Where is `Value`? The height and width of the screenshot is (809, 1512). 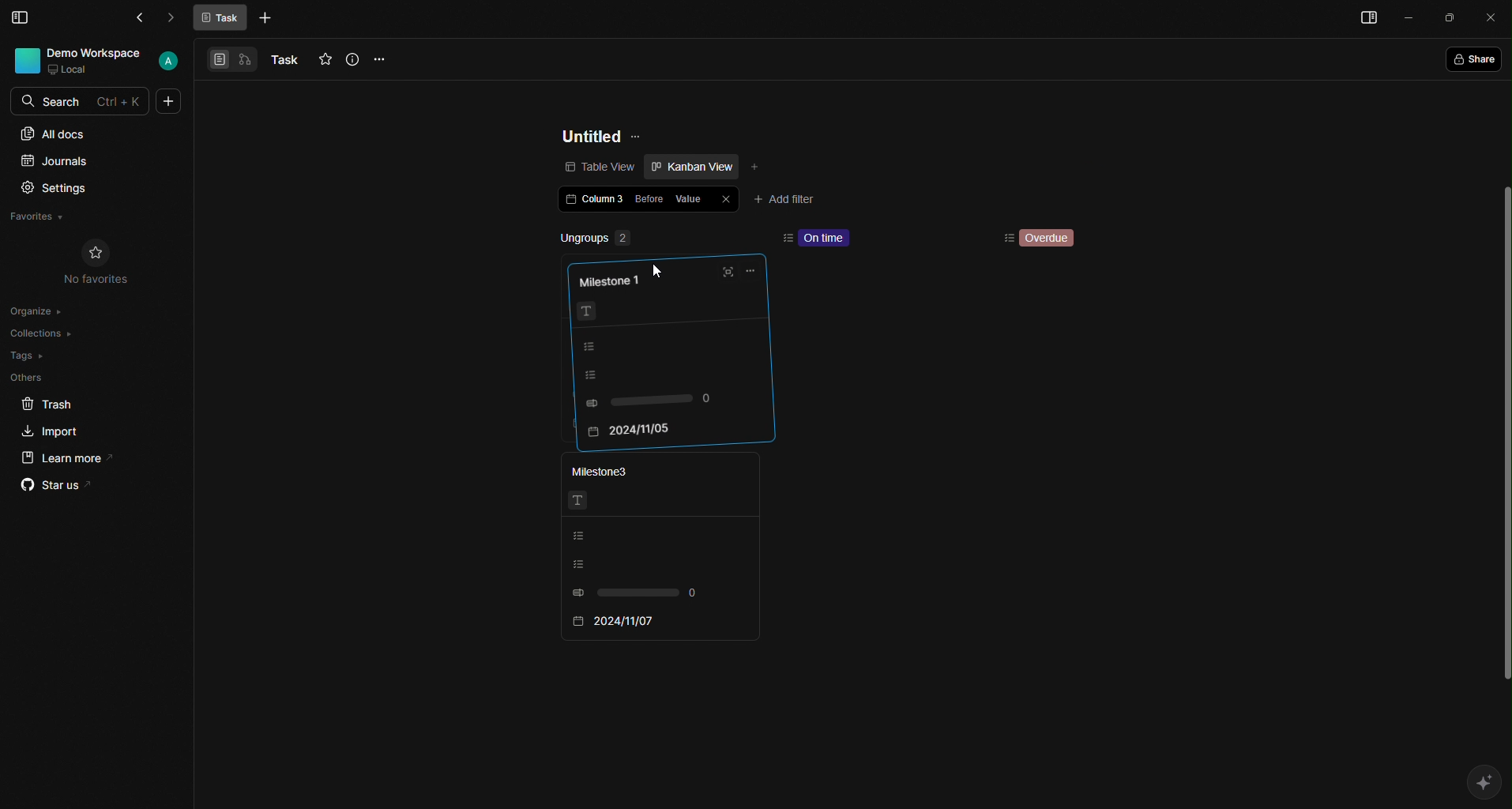 Value is located at coordinates (689, 196).